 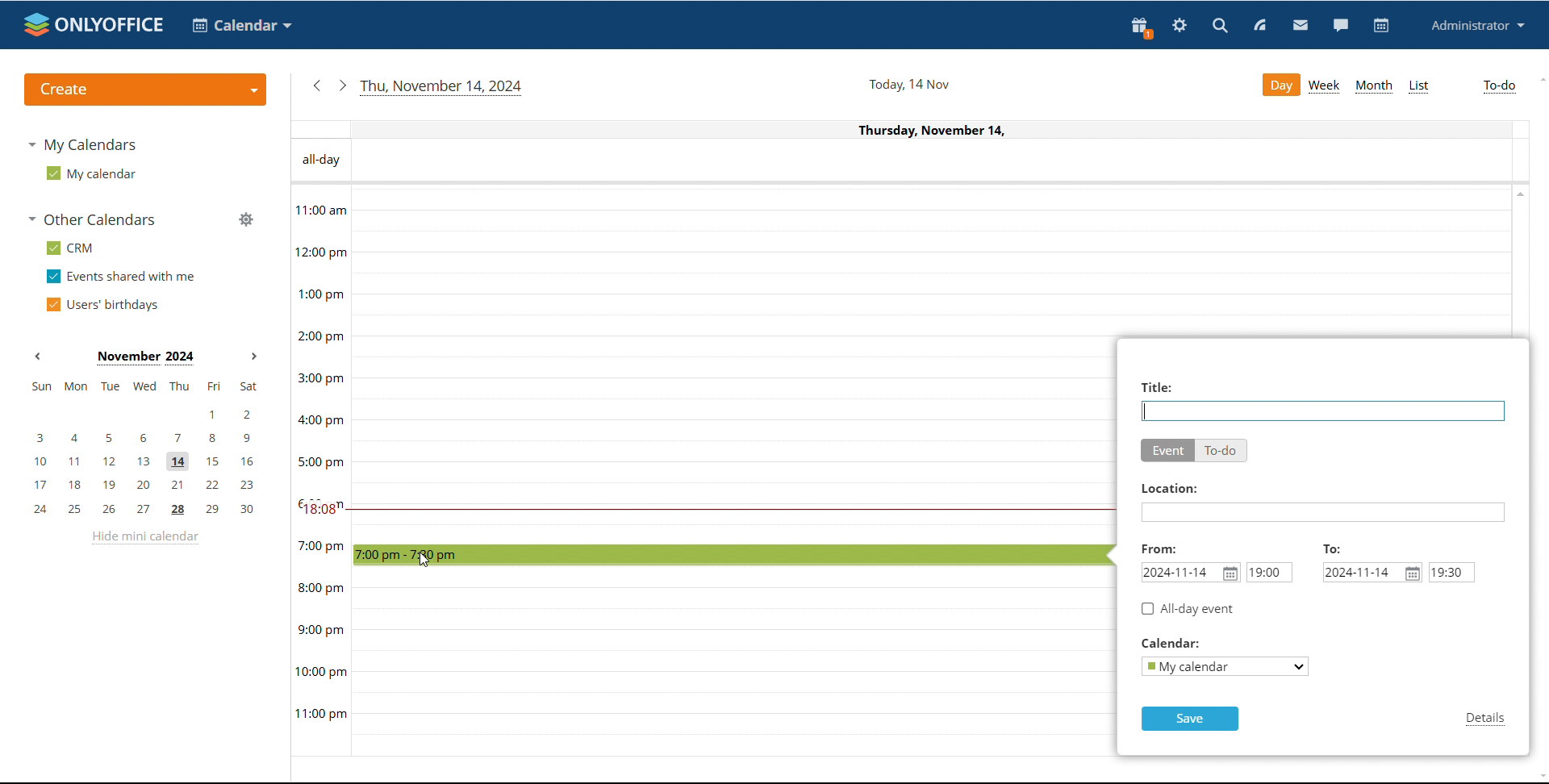 What do you see at coordinates (1484, 718) in the screenshot?
I see `details` at bounding box center [1484, 718].